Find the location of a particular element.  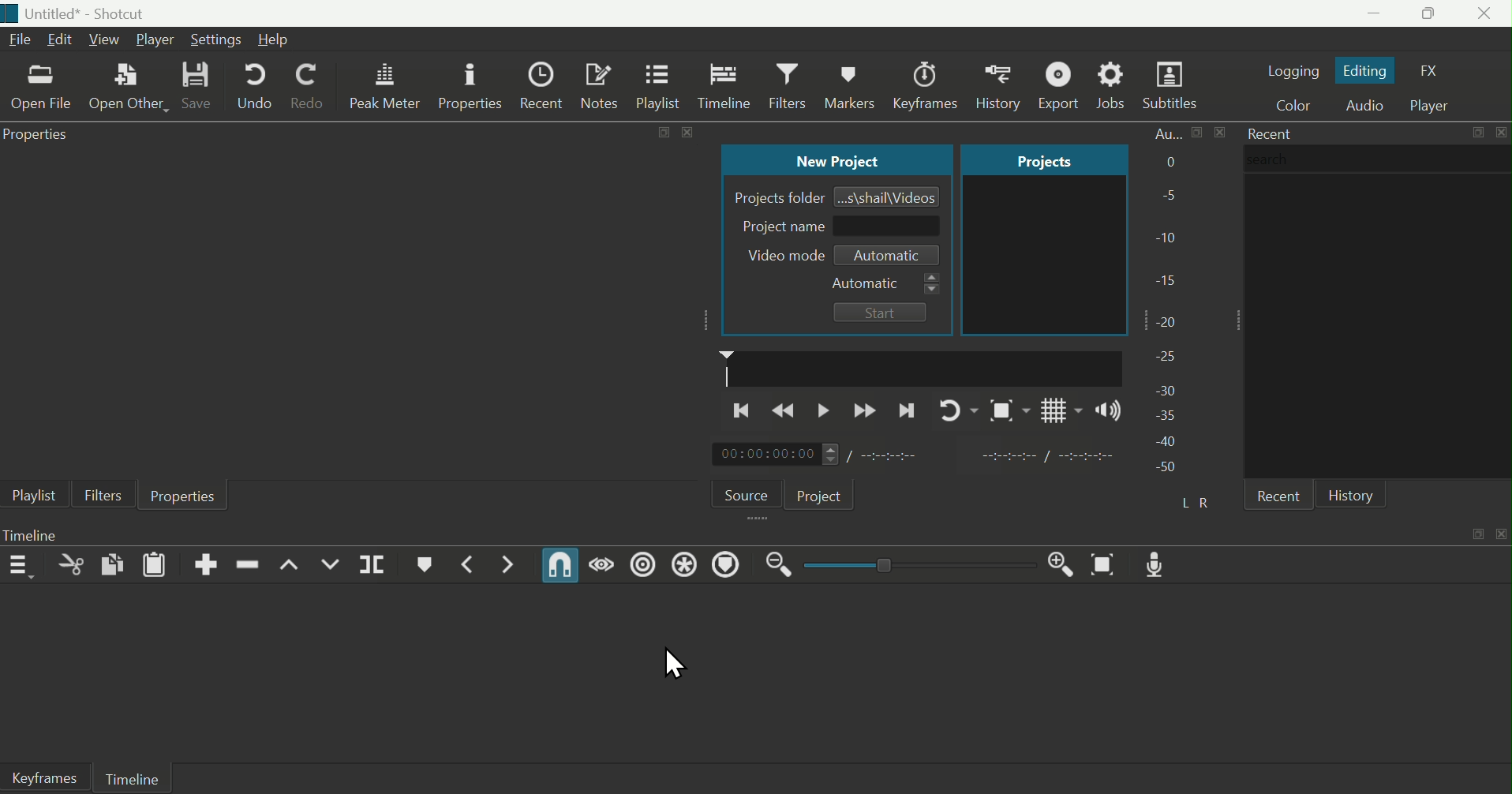

Timeline is located at coordinates (724, 85).